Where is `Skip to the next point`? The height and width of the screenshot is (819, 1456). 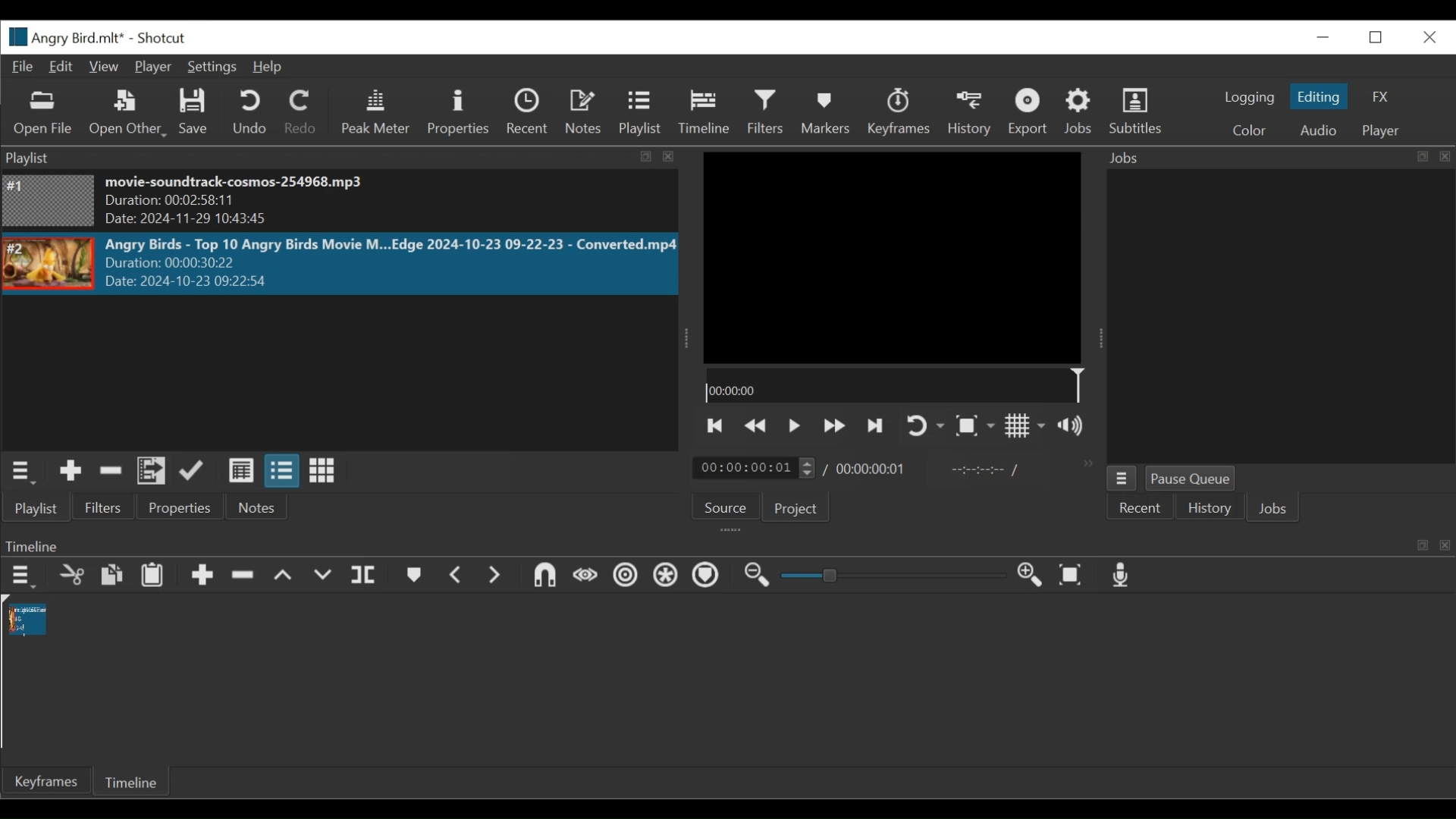 Skip to the next point is located at coordinates (717, 426).